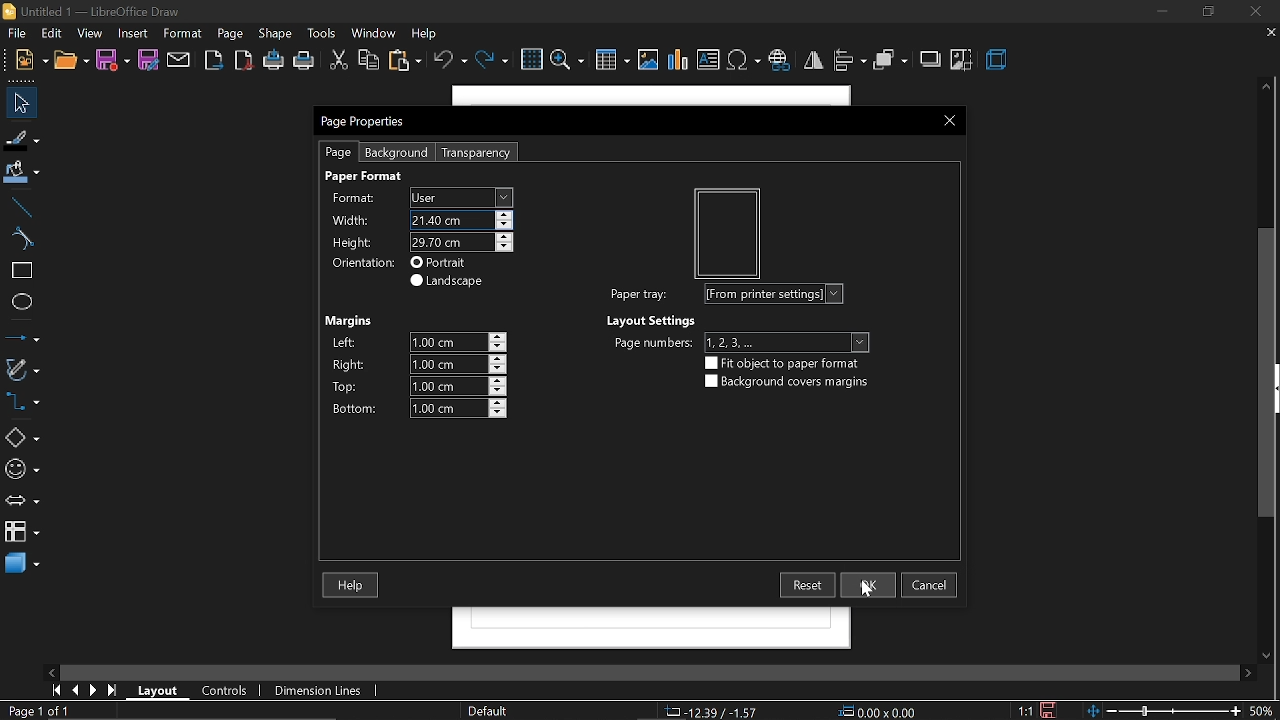 The width and height of the screenshot is (1280, 720). What do you see at coordinates (273, 59) in the screenshot?
I see `print directly` at bounding box center [273, 59].